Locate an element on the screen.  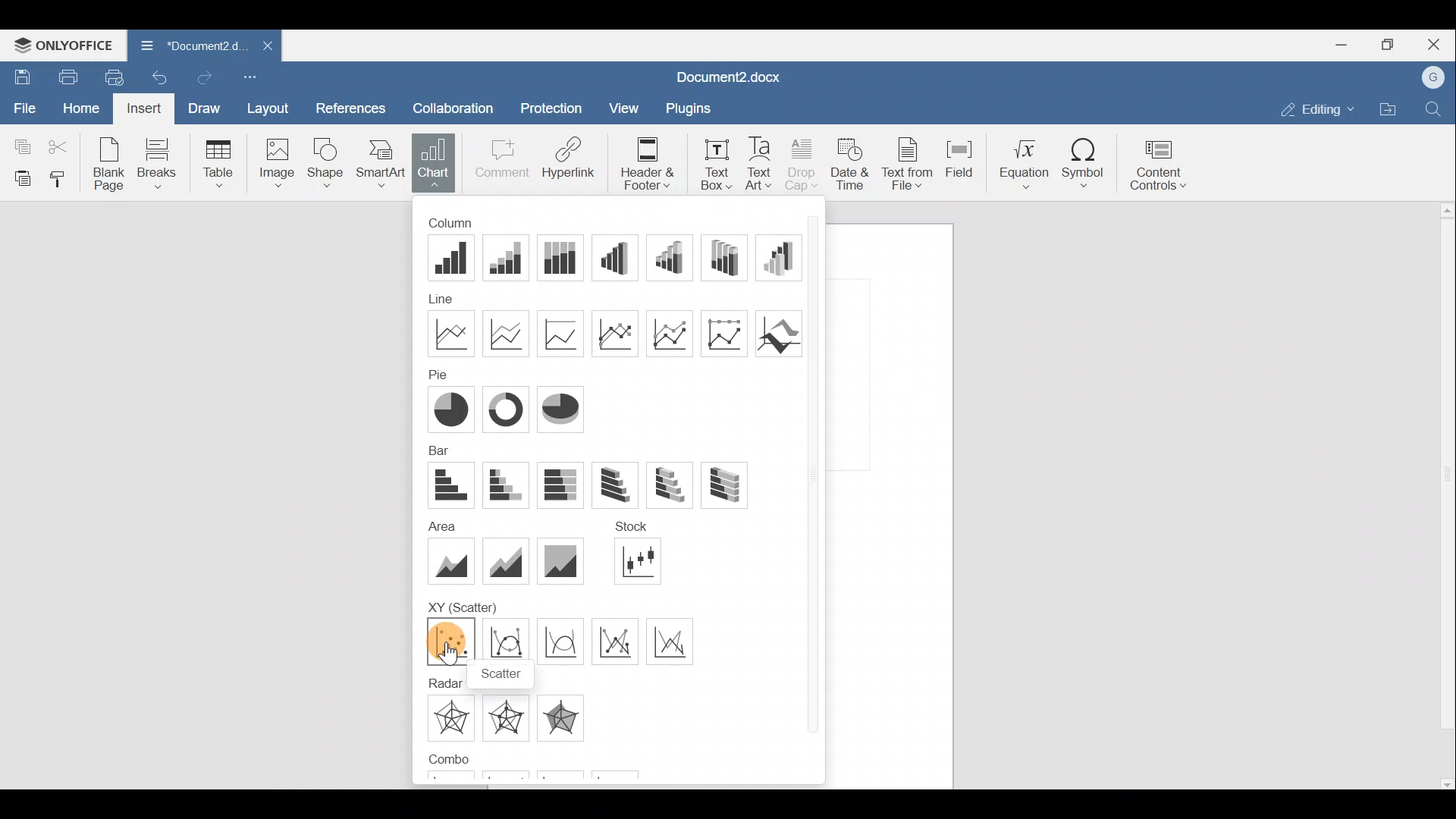
Clustered bar is located at coordinates (449, 486).